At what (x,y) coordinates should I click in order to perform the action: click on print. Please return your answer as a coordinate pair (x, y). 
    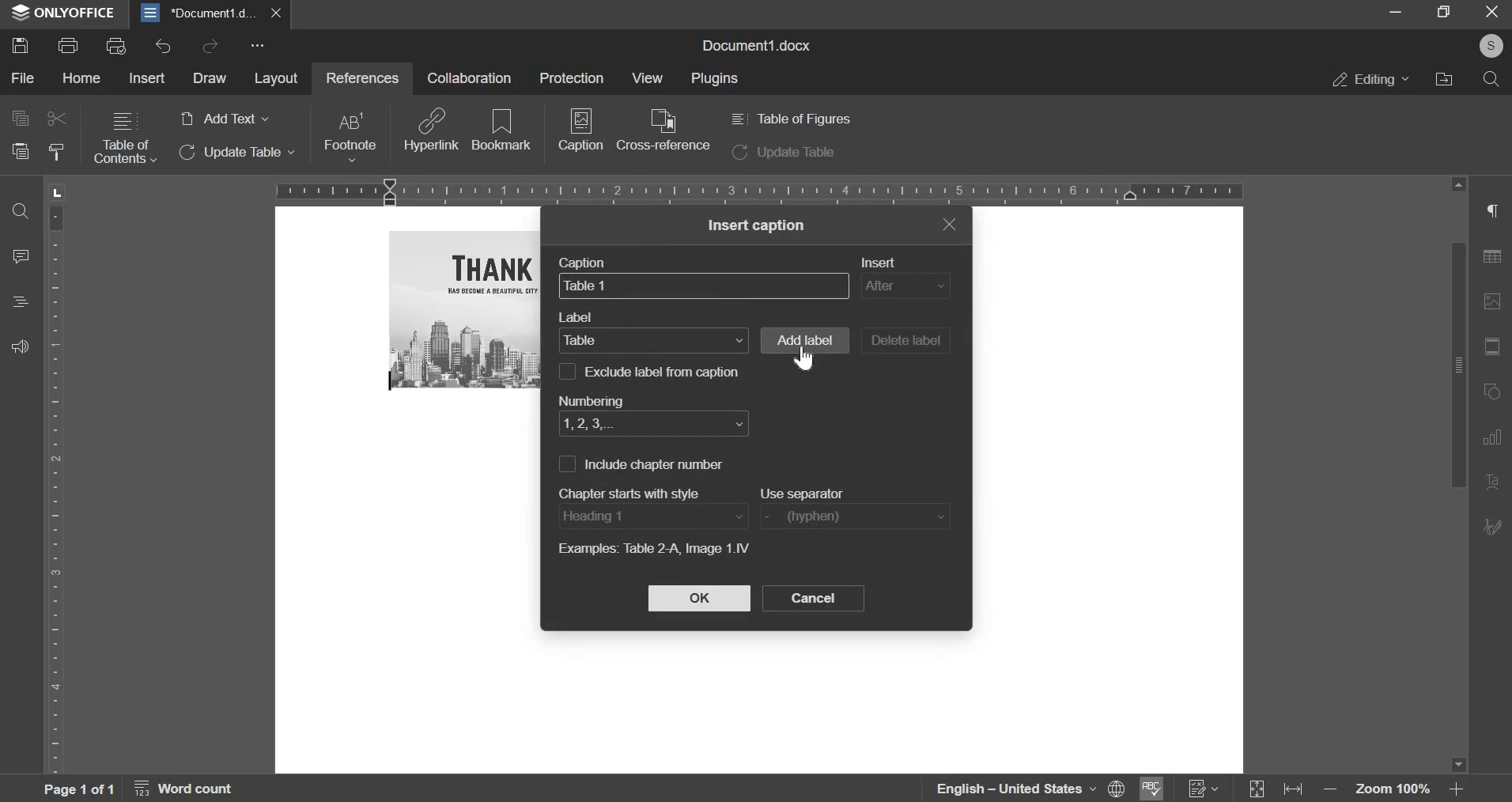
    Looking at the image, I should click on (68, 44).